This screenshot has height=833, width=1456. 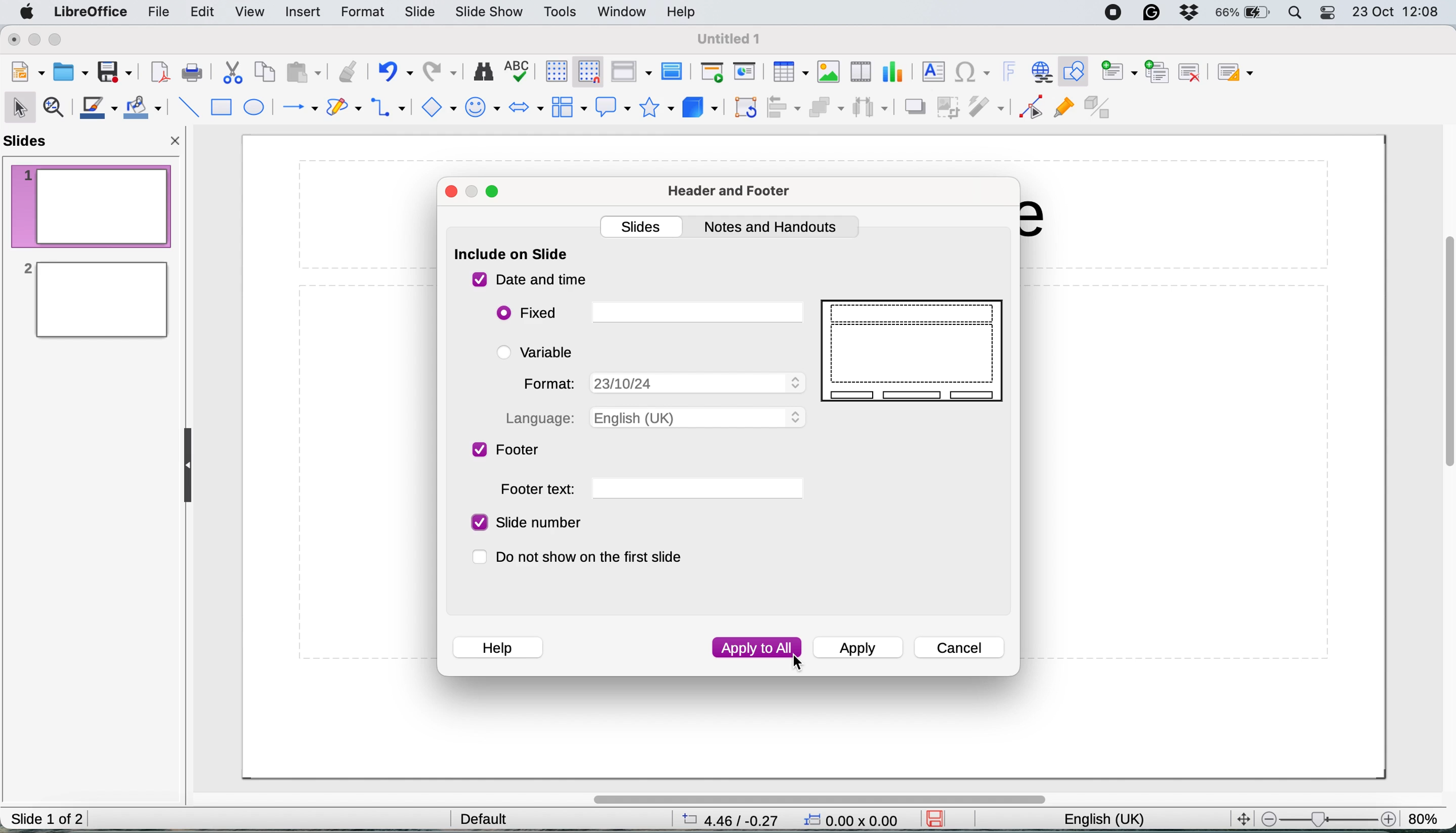 I want to click on collapse, so click(x=192, y=466).